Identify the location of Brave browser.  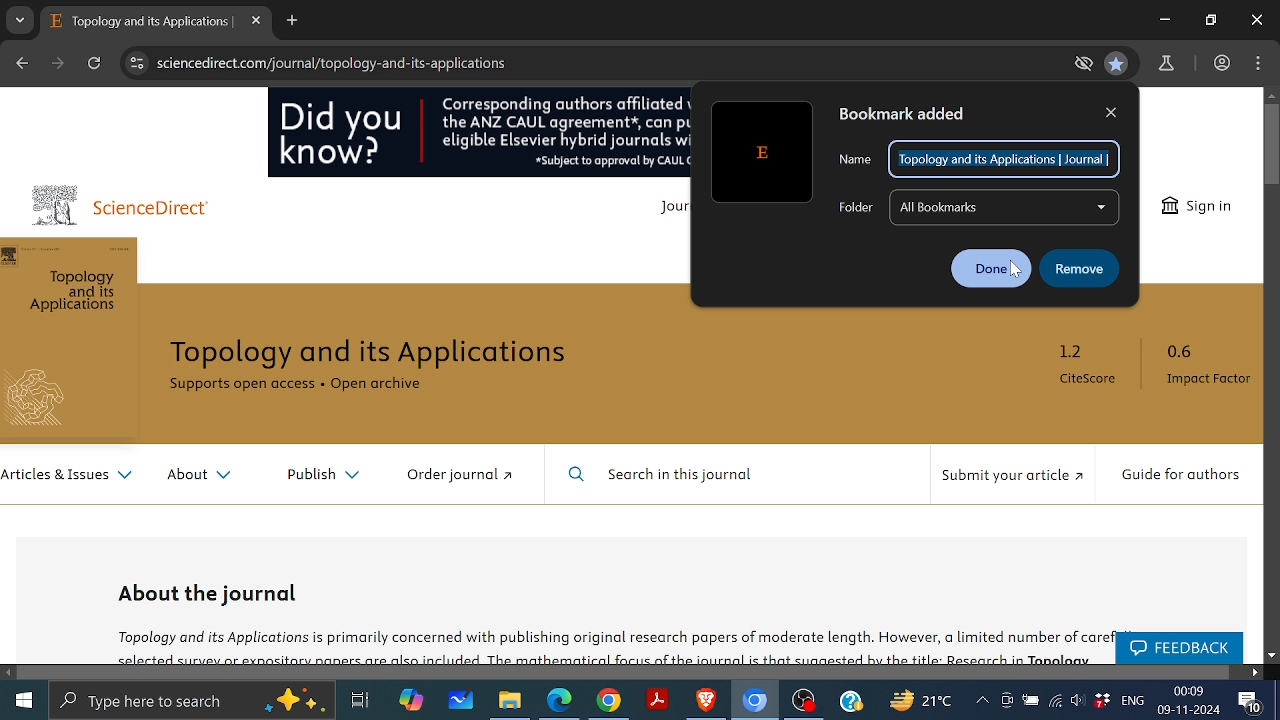
(707, 701).